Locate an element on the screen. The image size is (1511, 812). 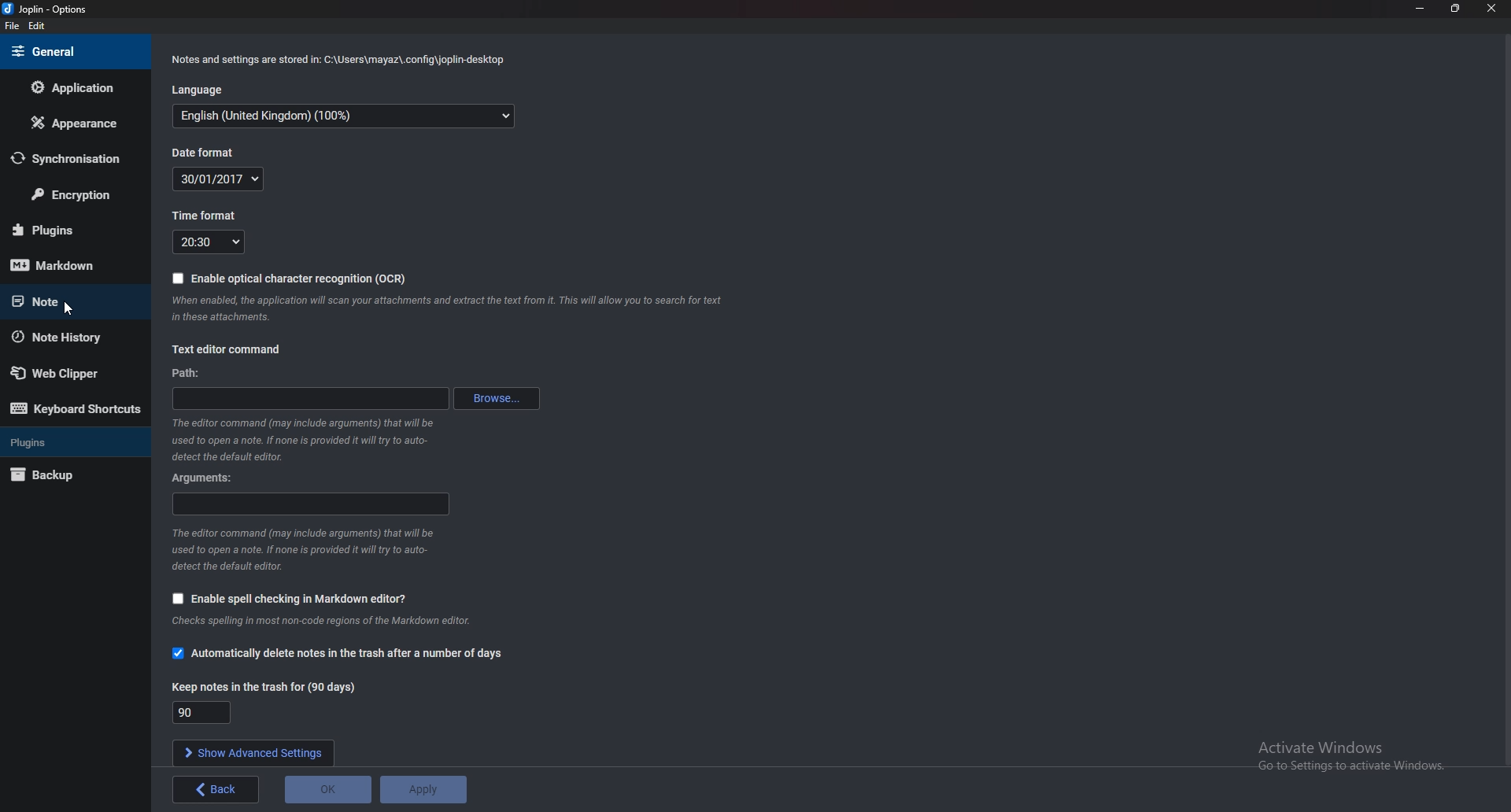
Time forMat is located at coordinates (203, 216).